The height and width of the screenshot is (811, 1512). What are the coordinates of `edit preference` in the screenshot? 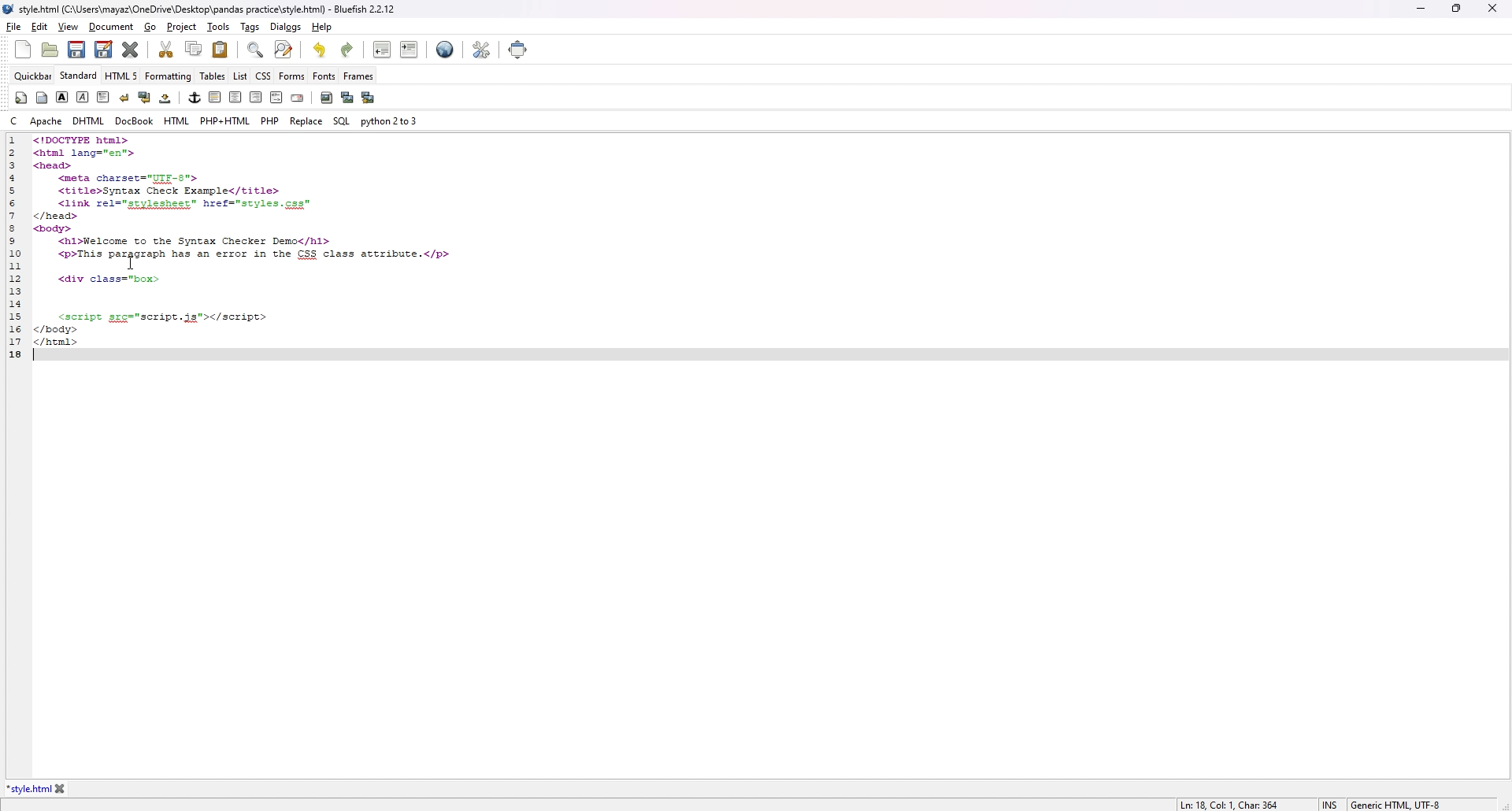 It's located at (481, 50).